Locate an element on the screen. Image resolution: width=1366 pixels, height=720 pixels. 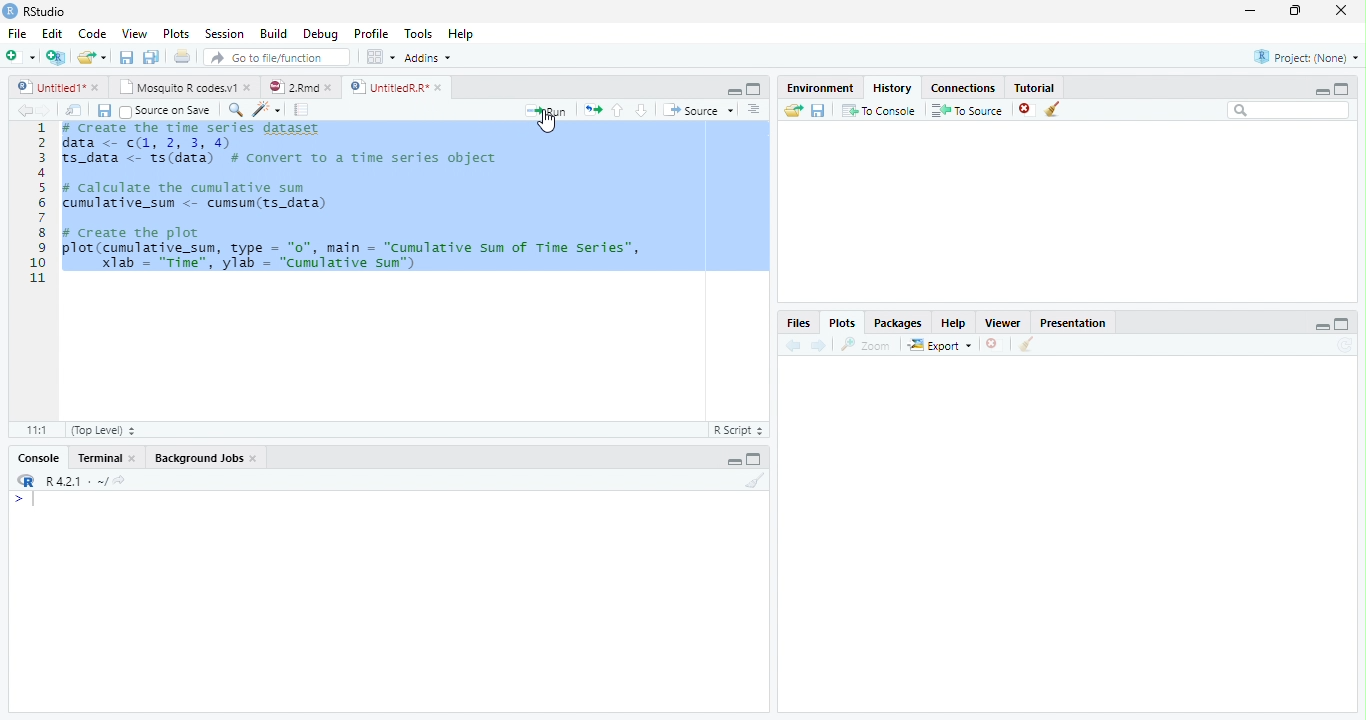
Go to the next section  is located at coordinates (642, 112).